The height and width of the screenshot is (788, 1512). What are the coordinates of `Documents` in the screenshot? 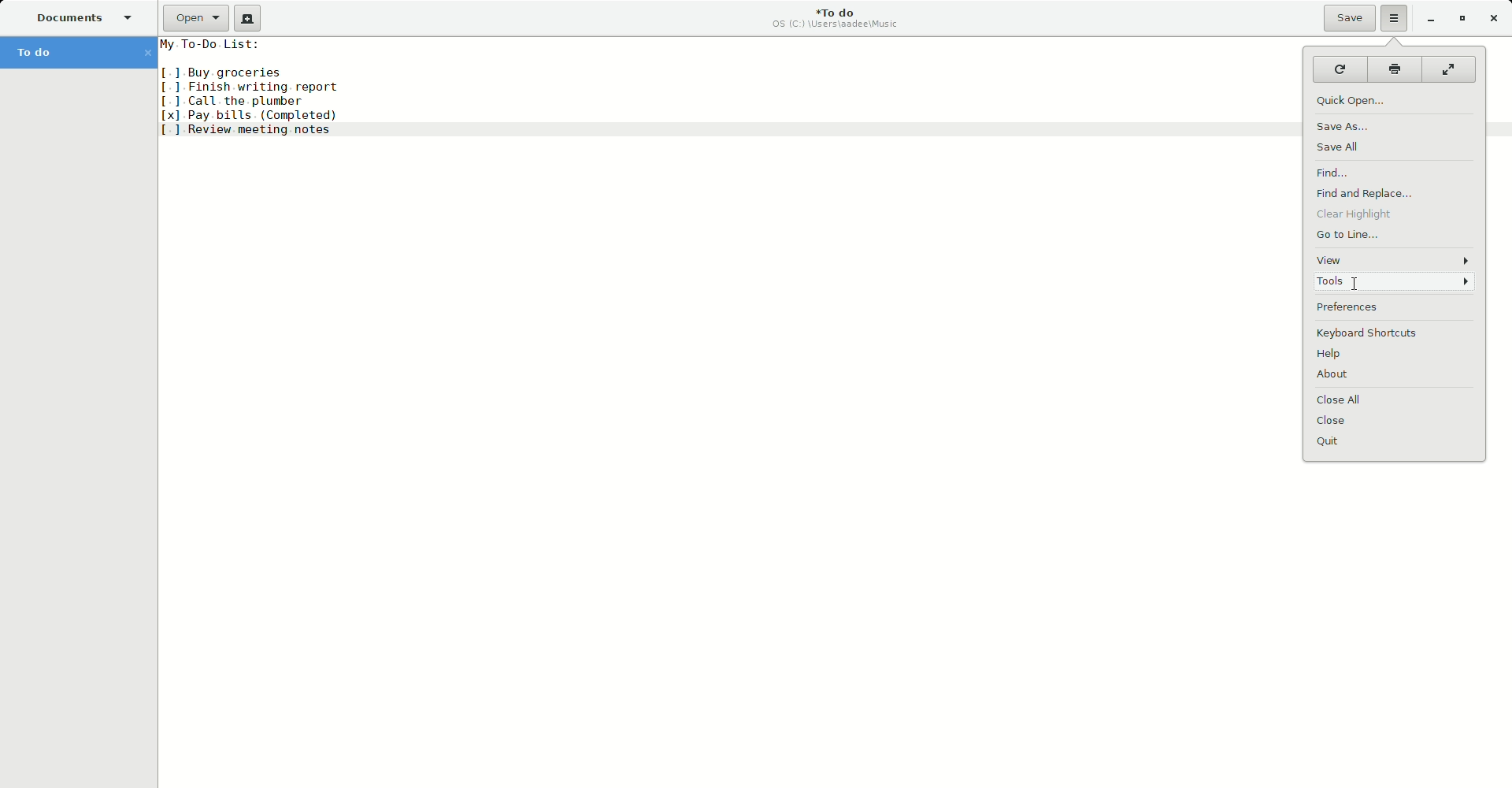 It's located at (84, 17).